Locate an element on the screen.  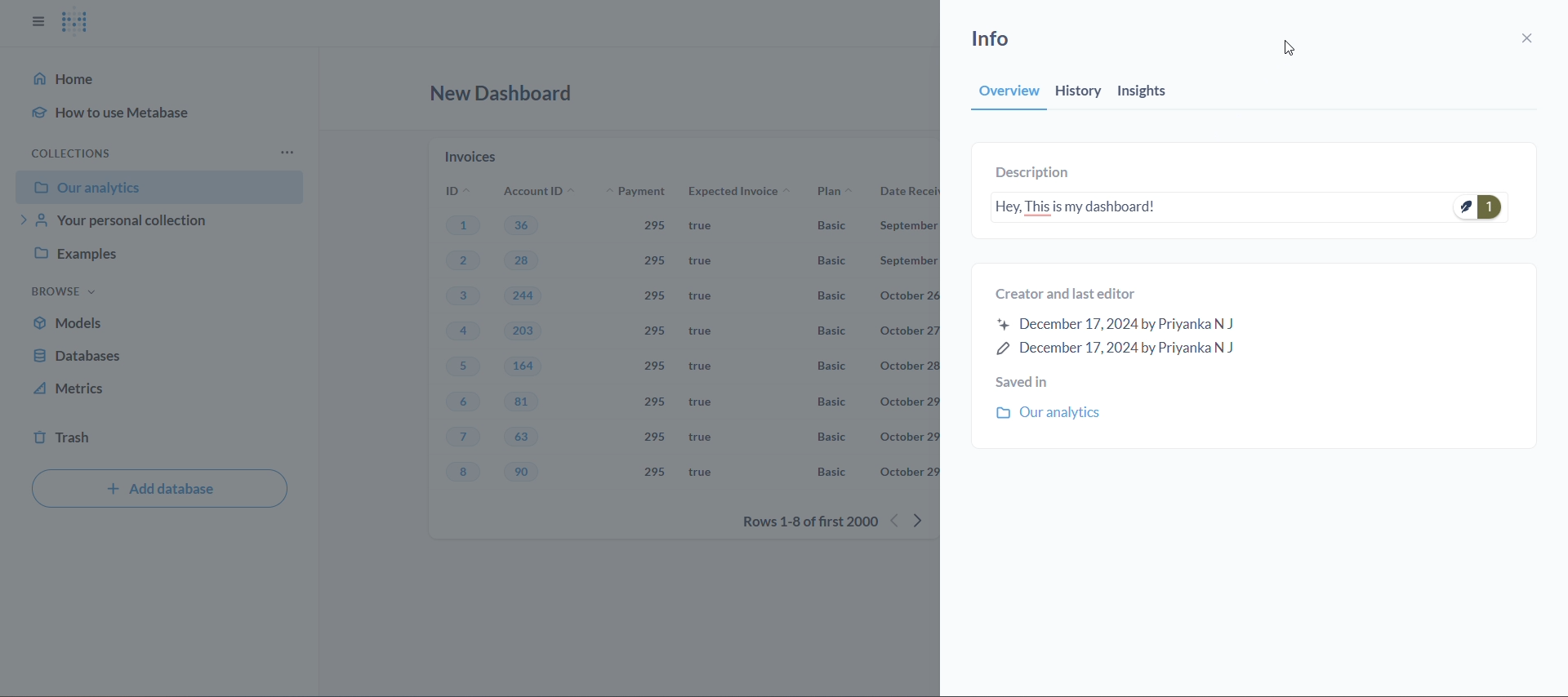
october 29 is located at coordinates (907, 402).